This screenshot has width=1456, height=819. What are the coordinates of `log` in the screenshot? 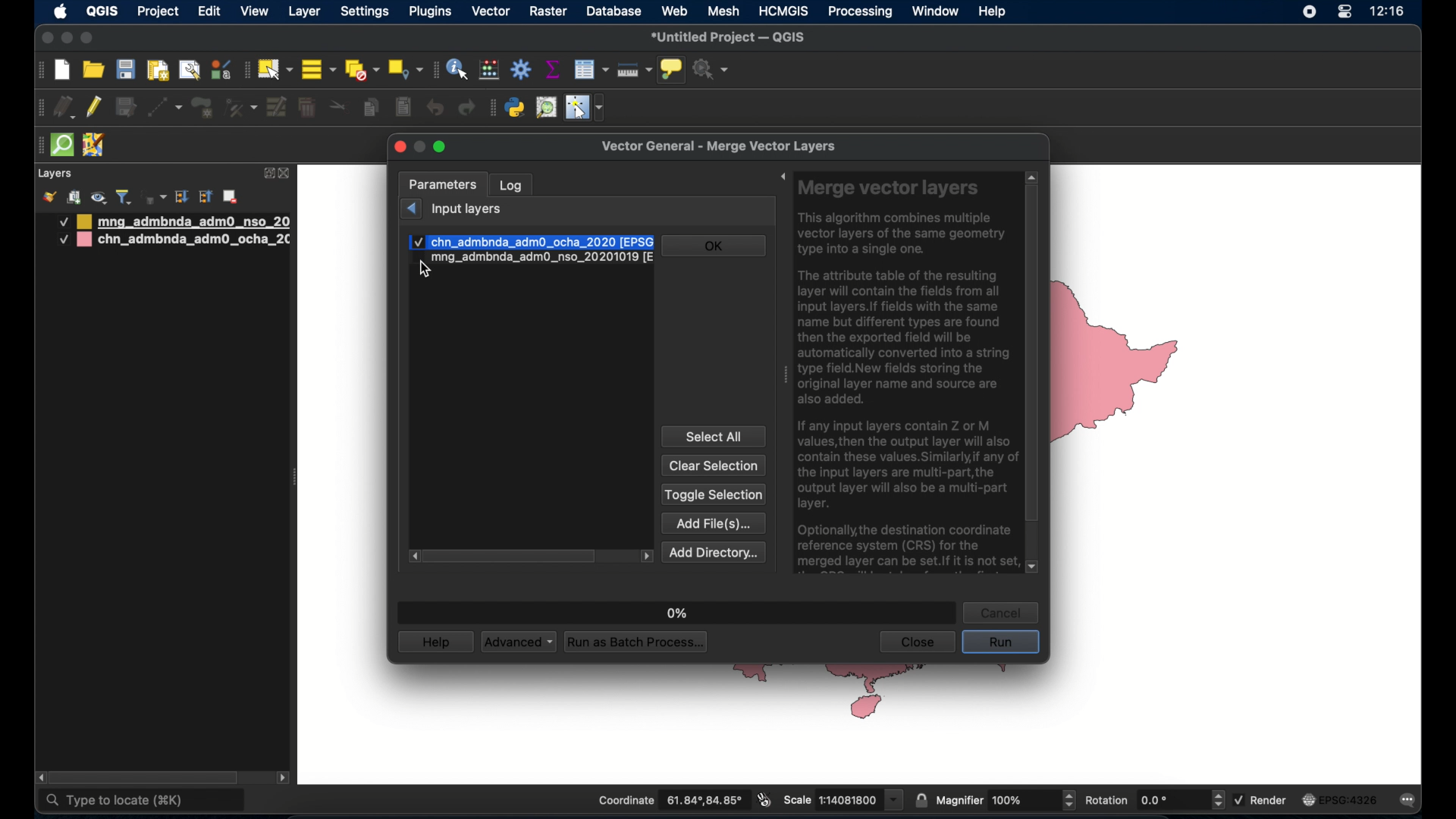 It's located at (512, 184).